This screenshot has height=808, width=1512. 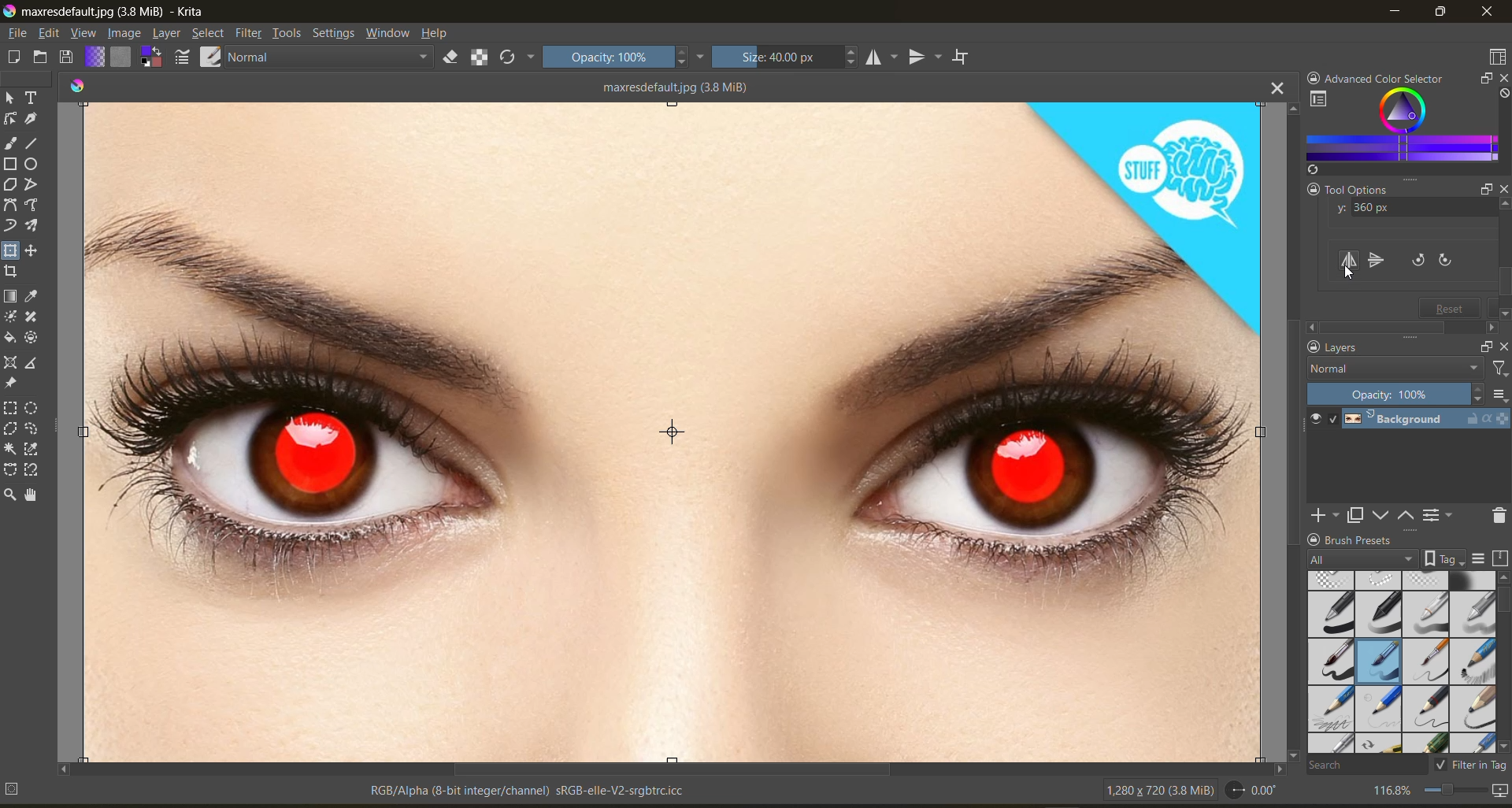 What do you see at coordinates (9, 337) in the screenshot?
I see `tool` at bounding box center [9, 337].